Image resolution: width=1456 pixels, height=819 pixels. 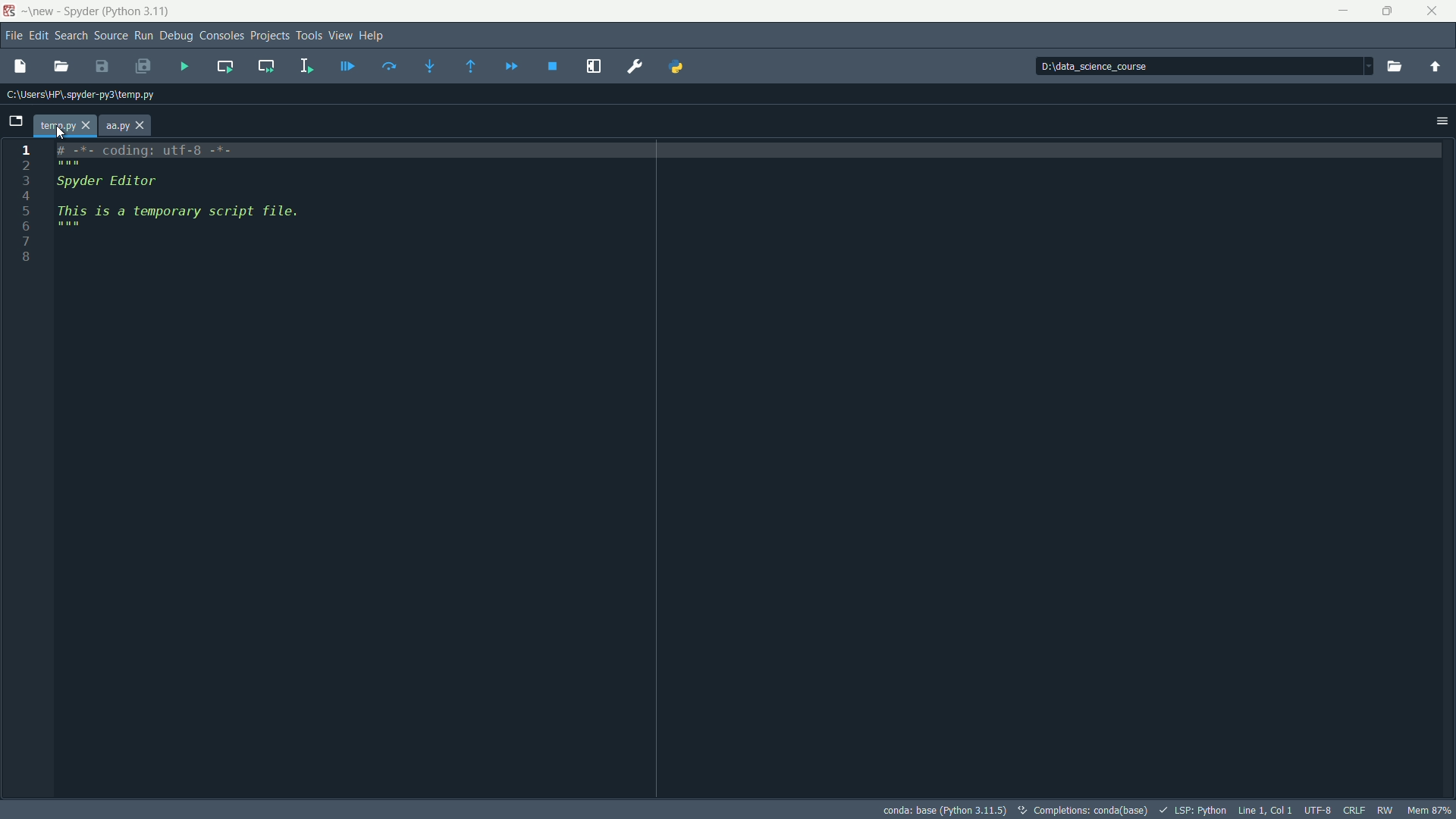 What do you see at coordinates (141, 65) in the screenshot?
I see `save all files` at bounding box center [141, 65].